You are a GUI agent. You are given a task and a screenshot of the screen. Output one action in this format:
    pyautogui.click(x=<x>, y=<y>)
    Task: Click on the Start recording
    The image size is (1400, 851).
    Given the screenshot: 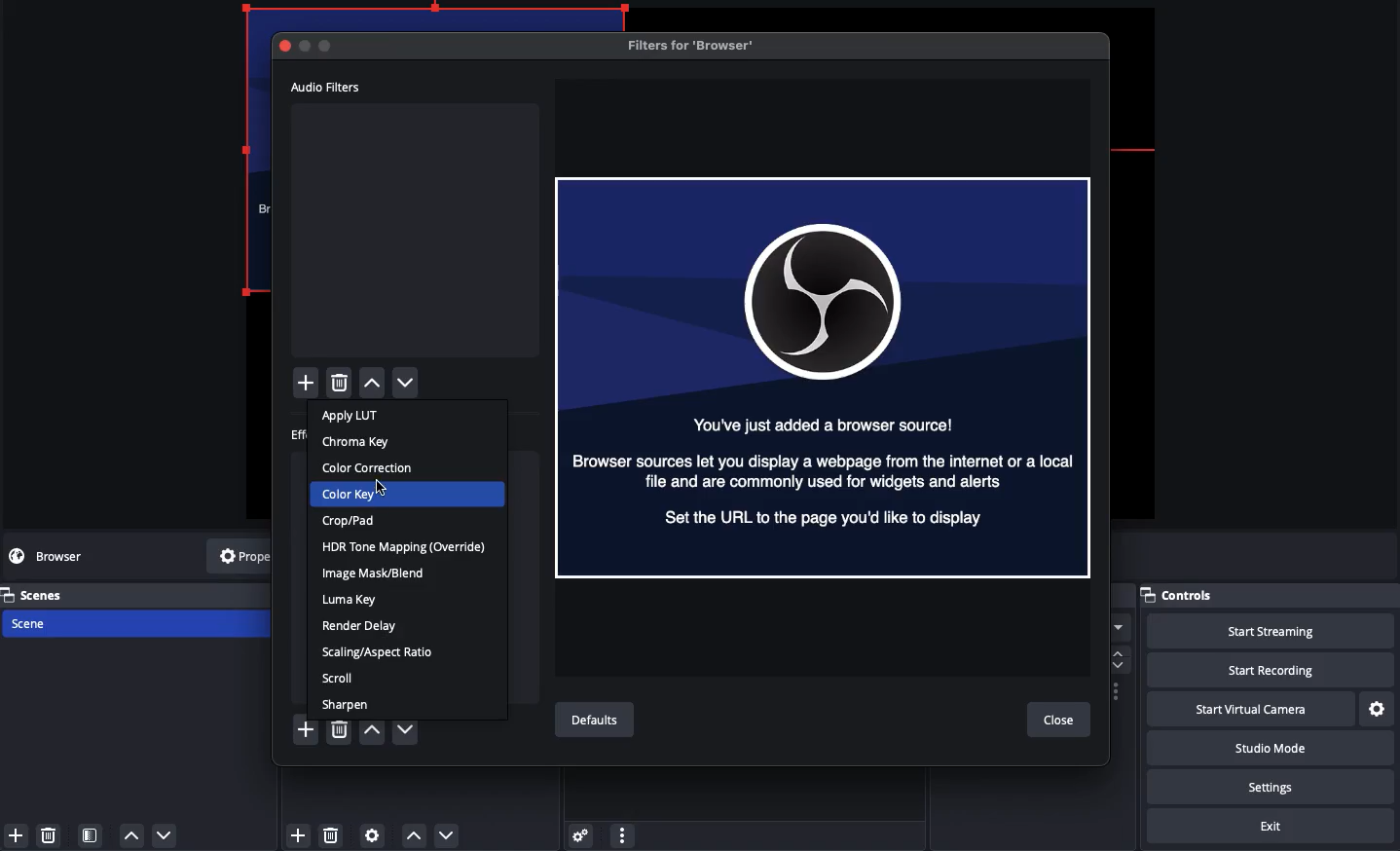 What is the action you would take?
    pyautogui.click(x=1264, y=669)
    